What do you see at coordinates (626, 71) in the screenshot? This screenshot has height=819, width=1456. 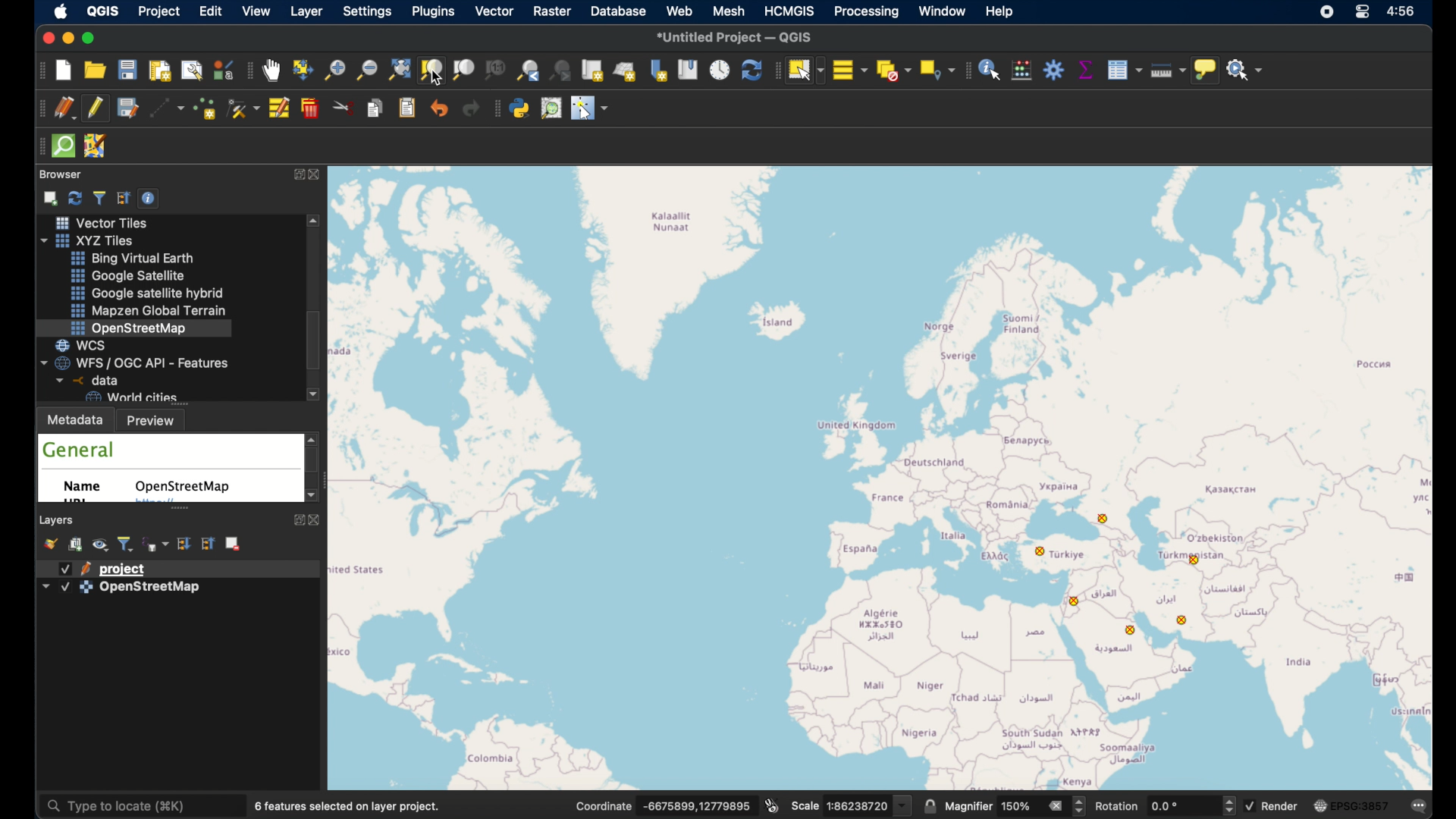 I see `new 3d map view` at bounding box center [626, 71].